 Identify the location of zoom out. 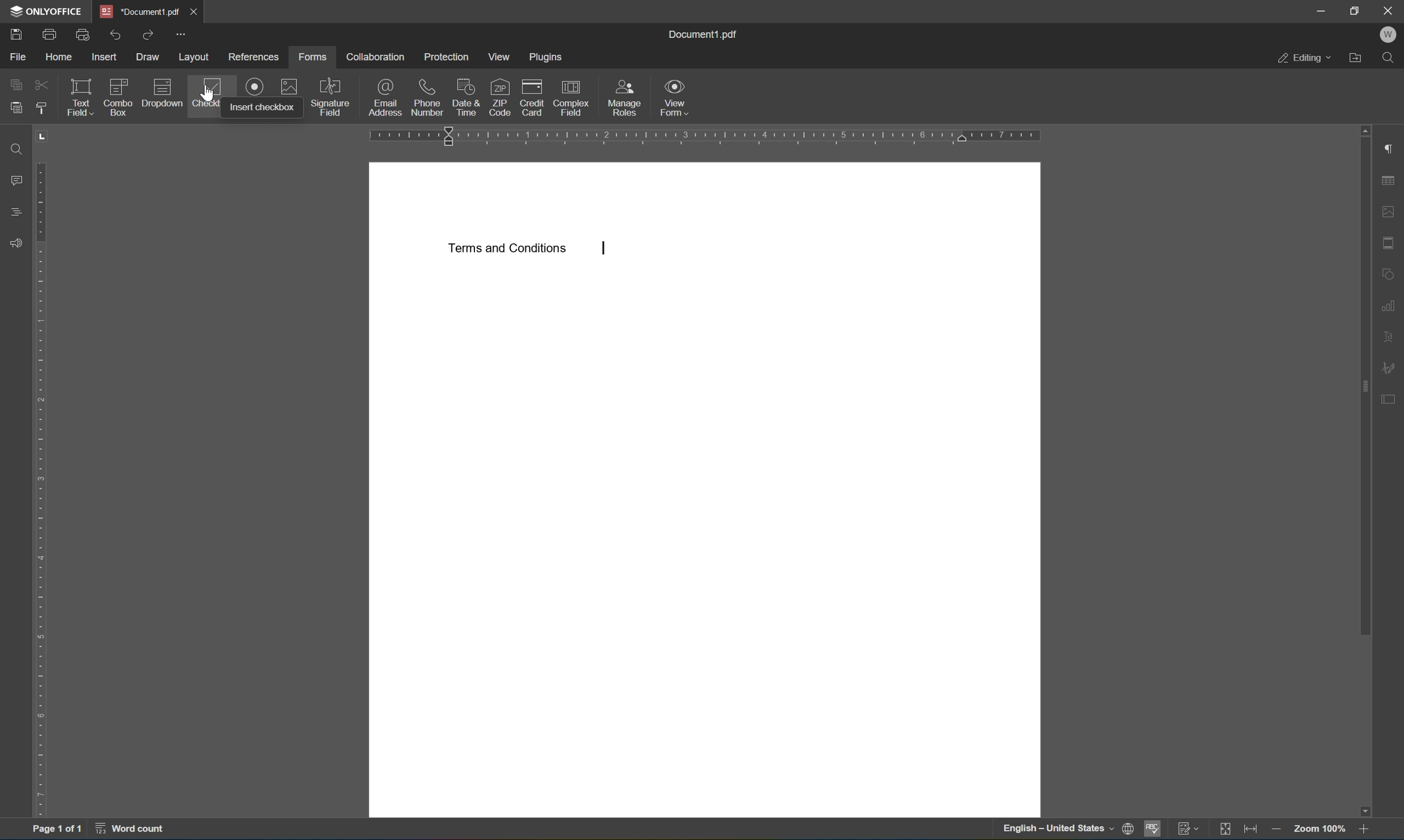
(1279, 830).